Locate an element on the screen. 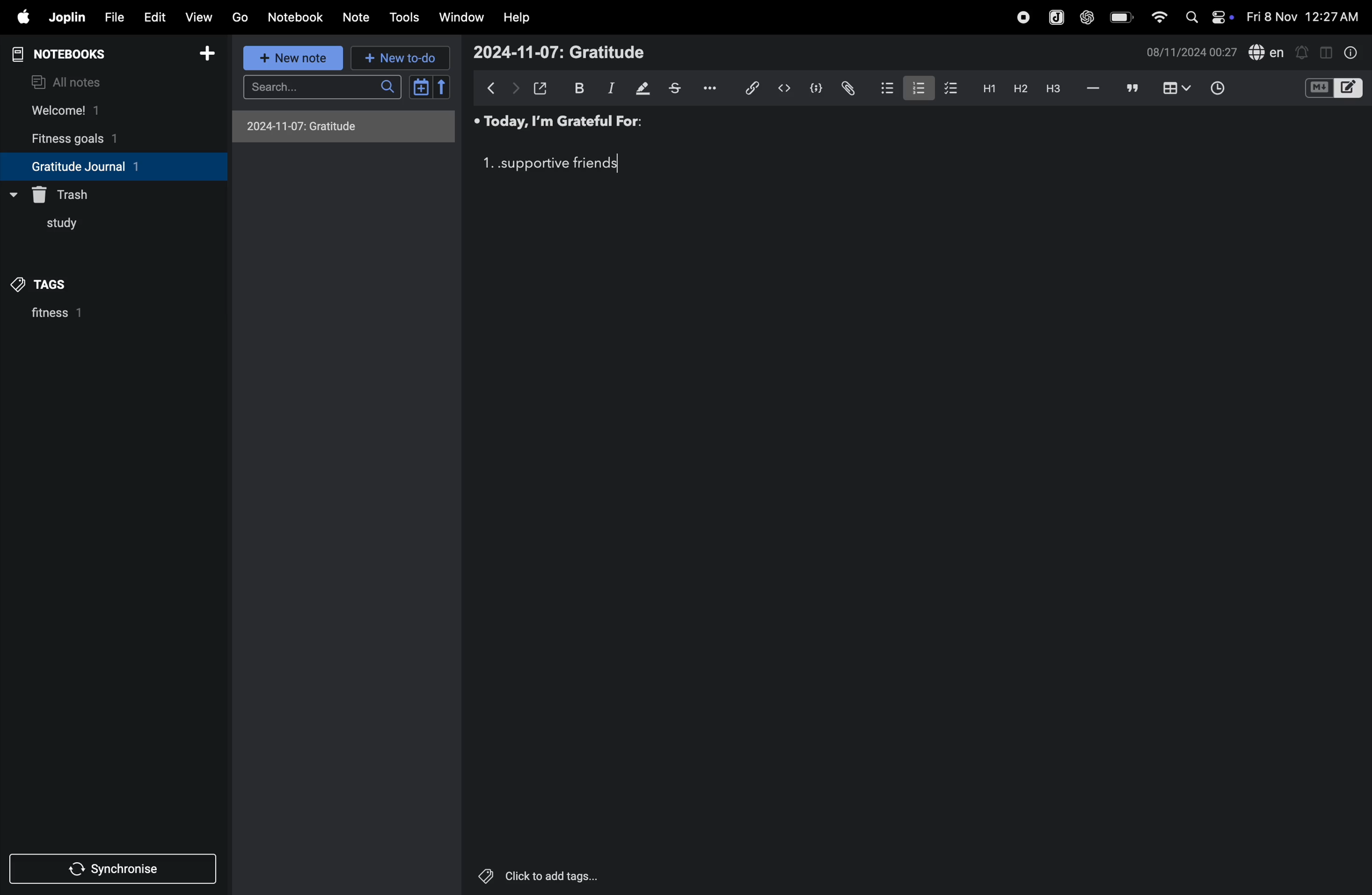 The image size is (1372, 895). fitness 1 is located at coordinates (85, 317).